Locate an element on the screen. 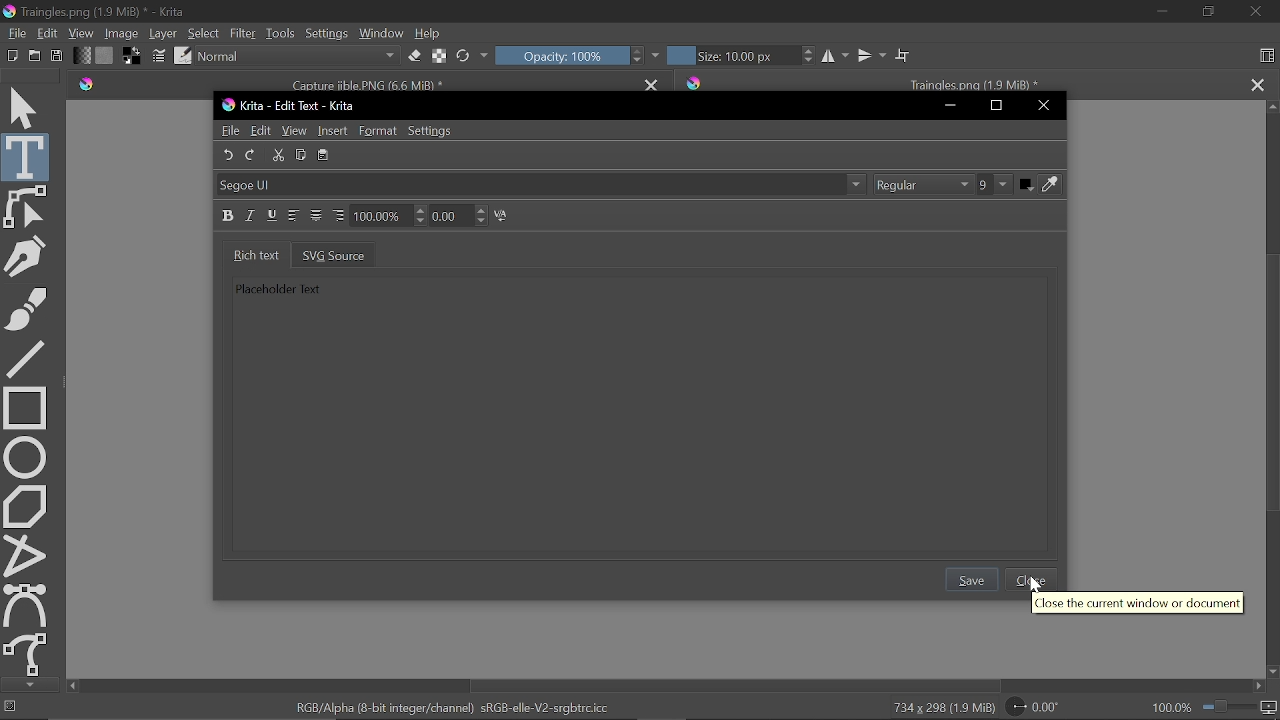 The image size is (1280, 720). Freehand path tool is located at coordinates (27, 655).